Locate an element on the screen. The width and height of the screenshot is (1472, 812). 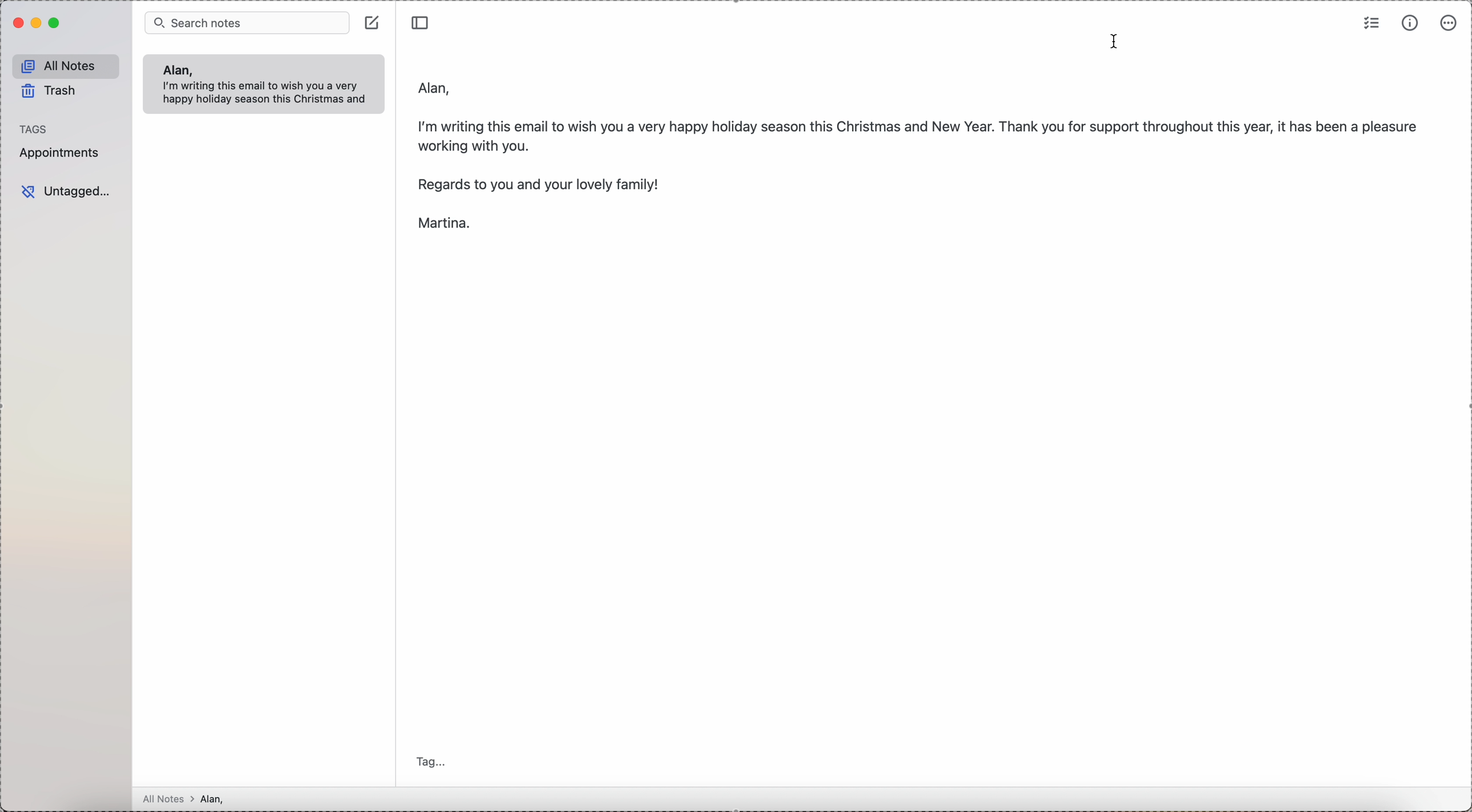
untagged is located at coordinates (66, 192).